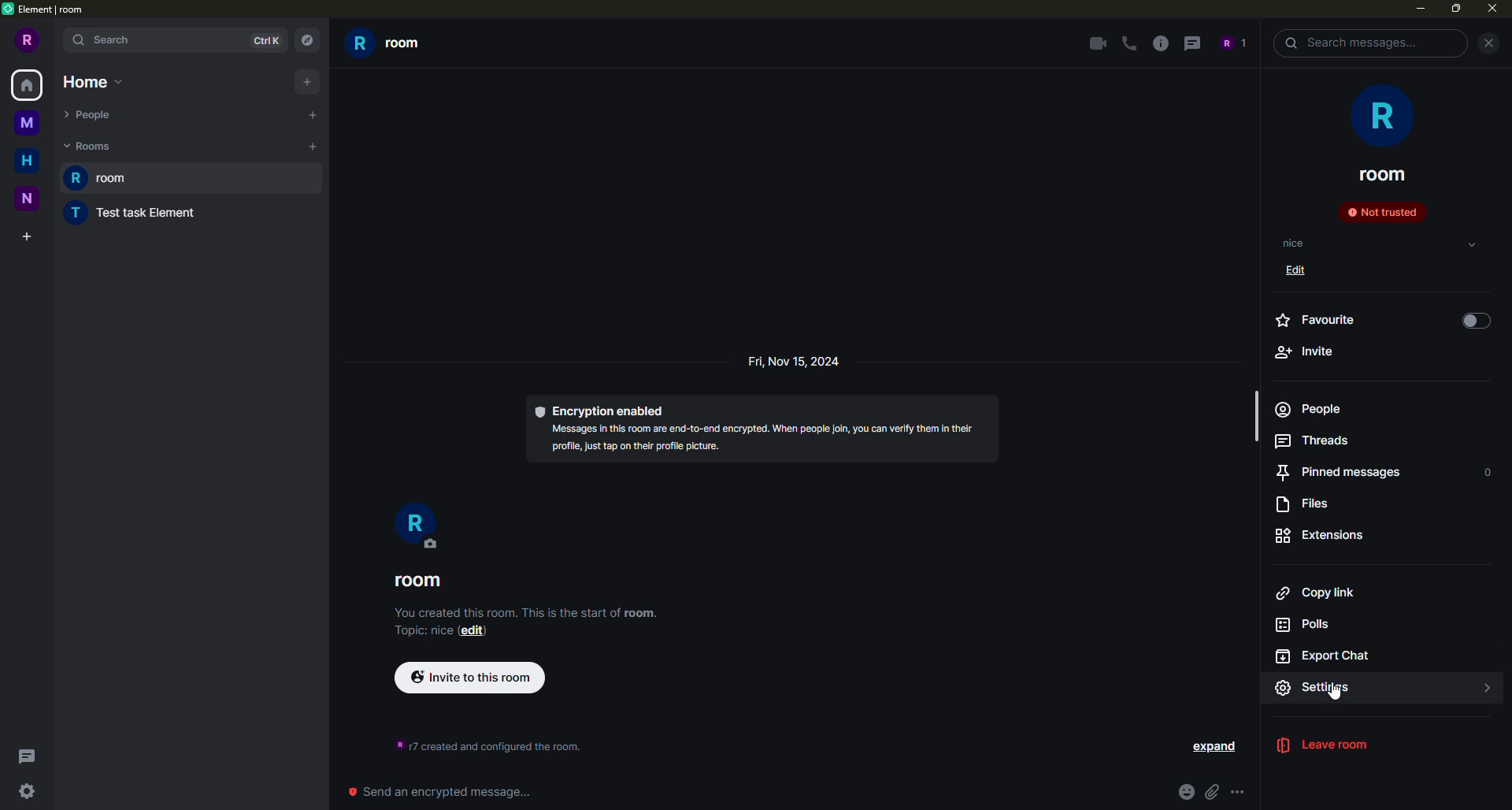 The width and height of the screenshot is (1512, 810). What do you see at coordinates (418, 527) in the screenshot?
I see `room R` at bounding box center [418, 527].